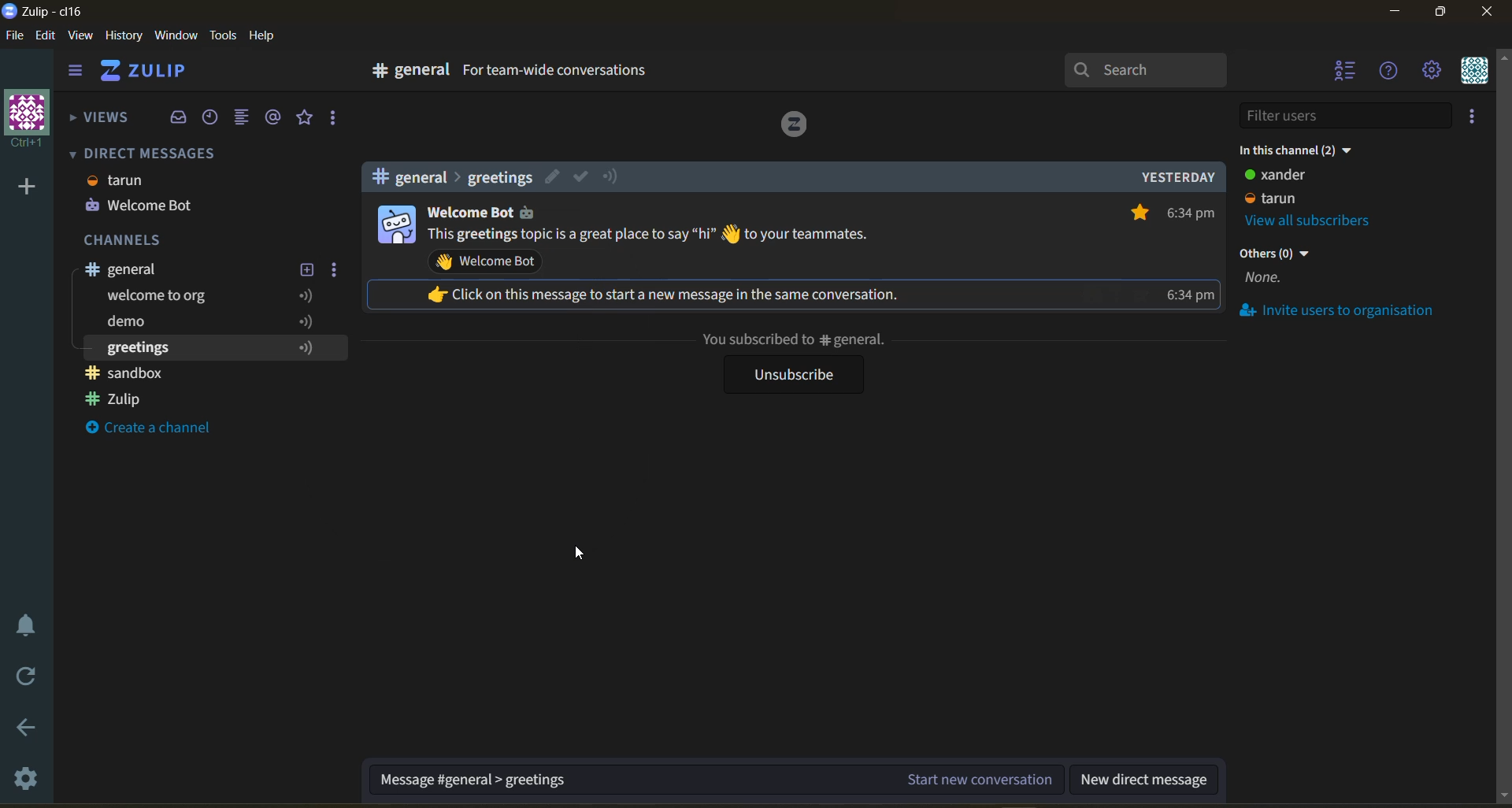  What do you see at coordinates (395, 224) in the screenshot?
I see `user profile` at bounding box center [395, 224].